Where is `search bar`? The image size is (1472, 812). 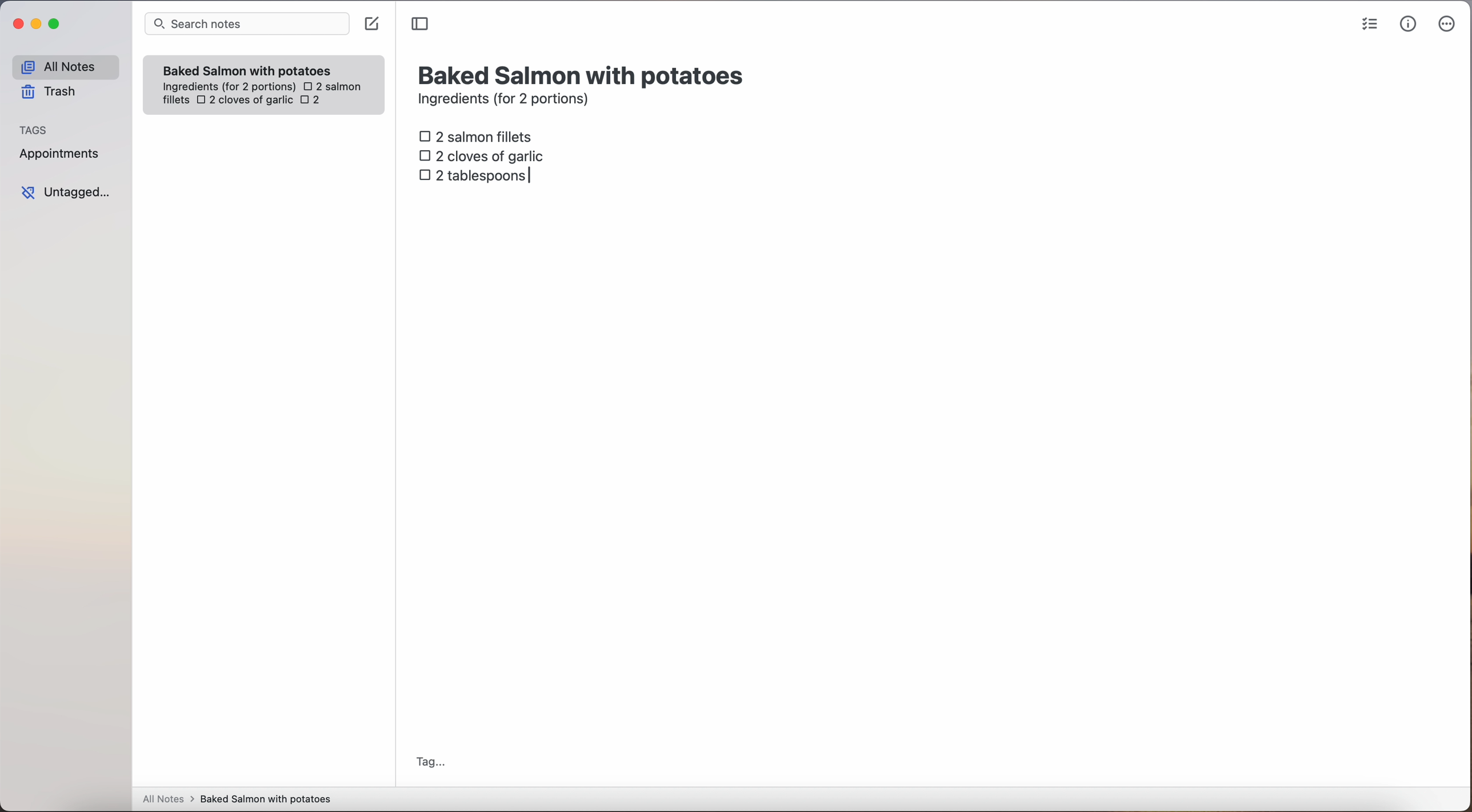
search bar is located at coordinates (246, 25).